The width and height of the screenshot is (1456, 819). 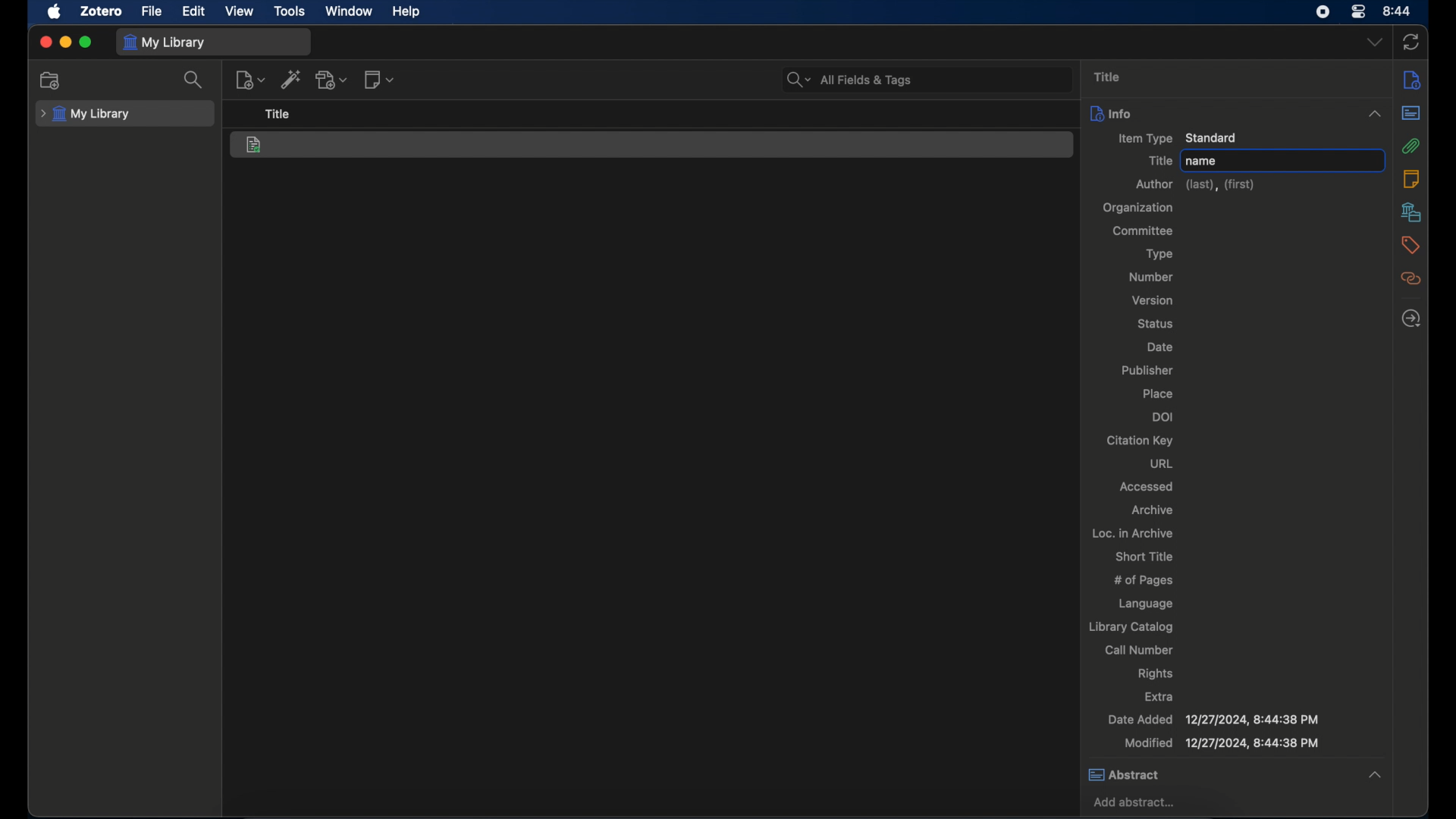 I want to click on loc. in archive, so click(x=1134, y=532).